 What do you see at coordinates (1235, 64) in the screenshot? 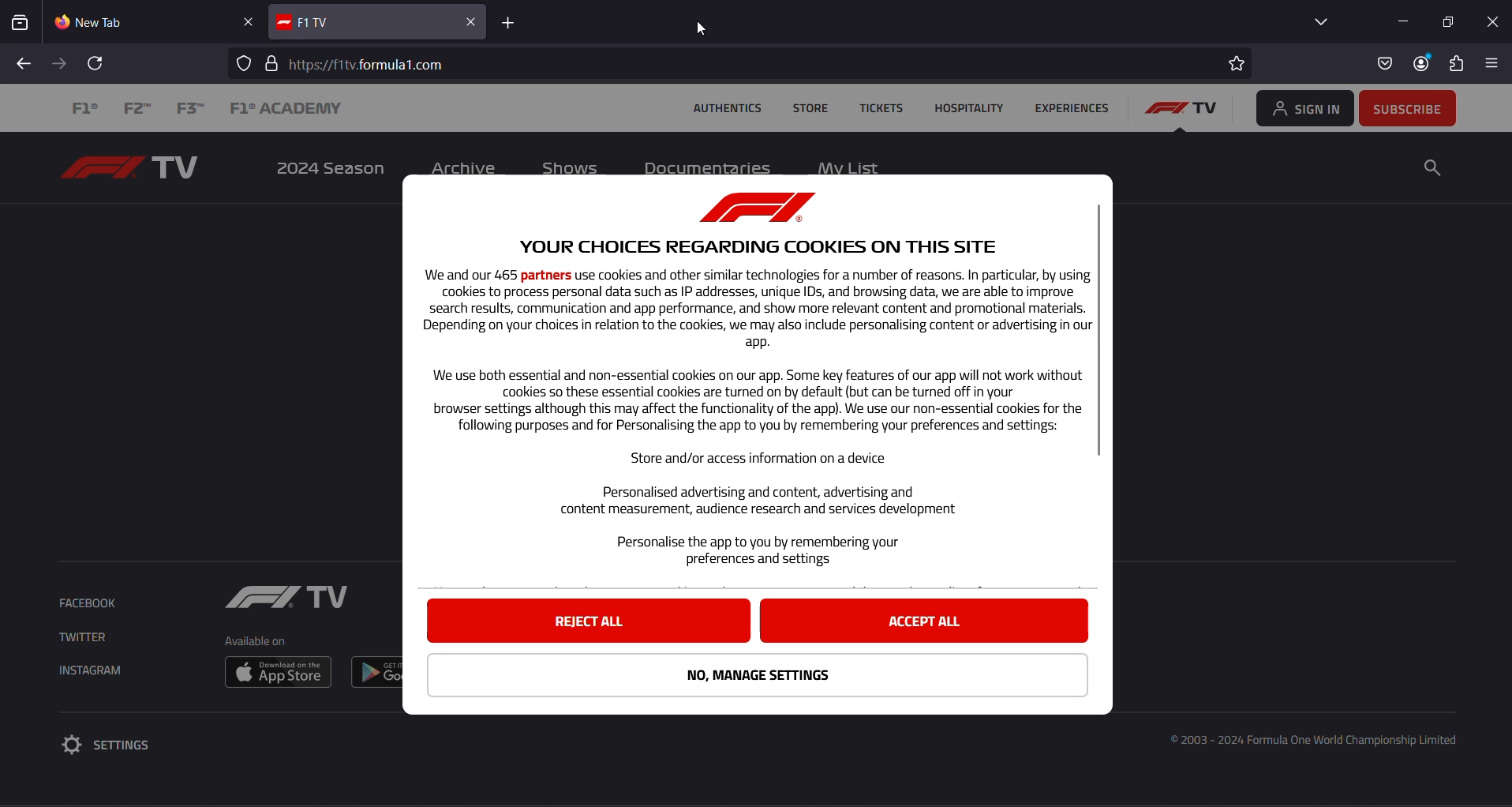
I see `bookmark this page` at bounding box center [1235, 64].